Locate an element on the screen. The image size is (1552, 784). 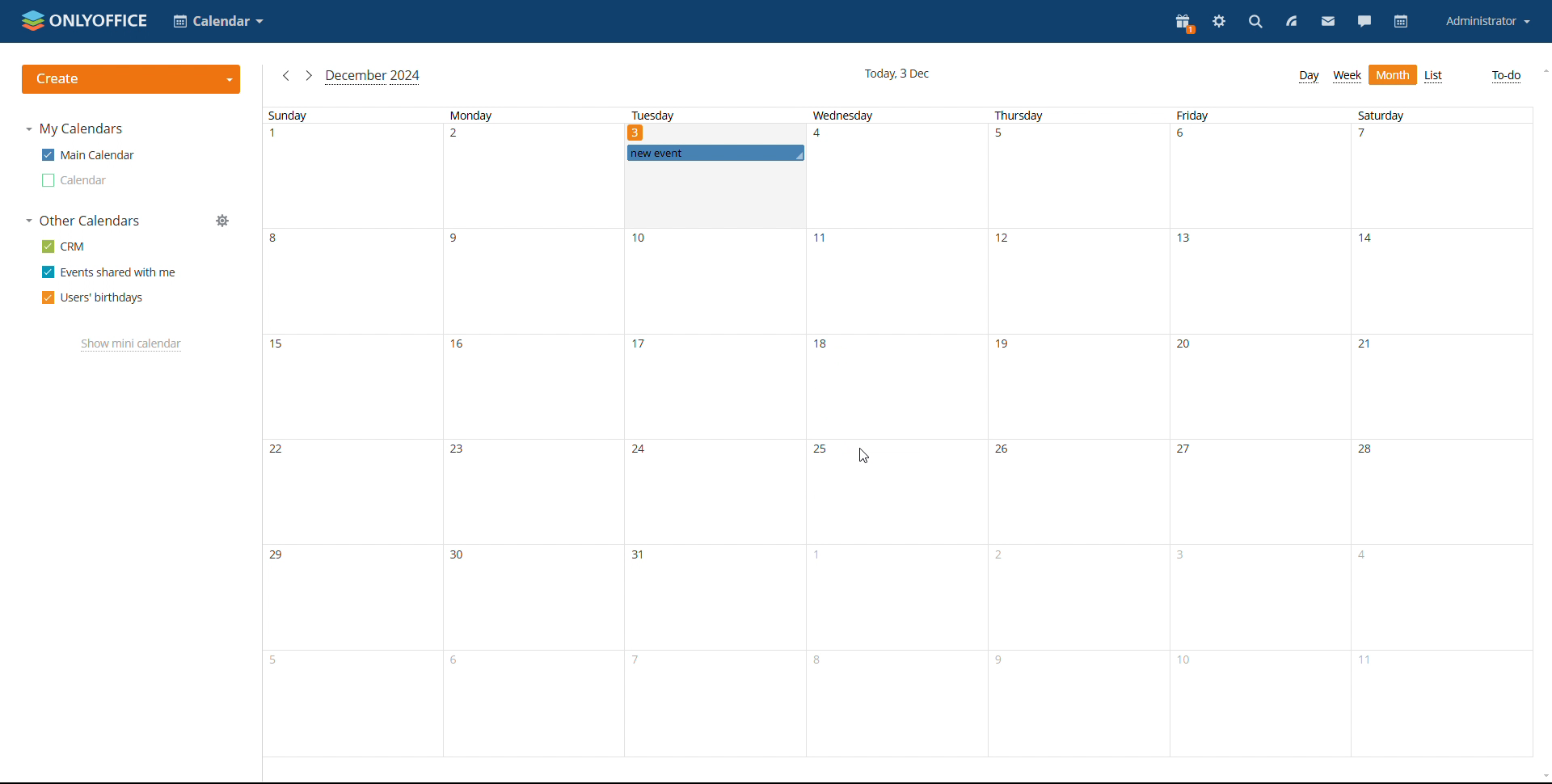
create is located at coordinates (131, 79).